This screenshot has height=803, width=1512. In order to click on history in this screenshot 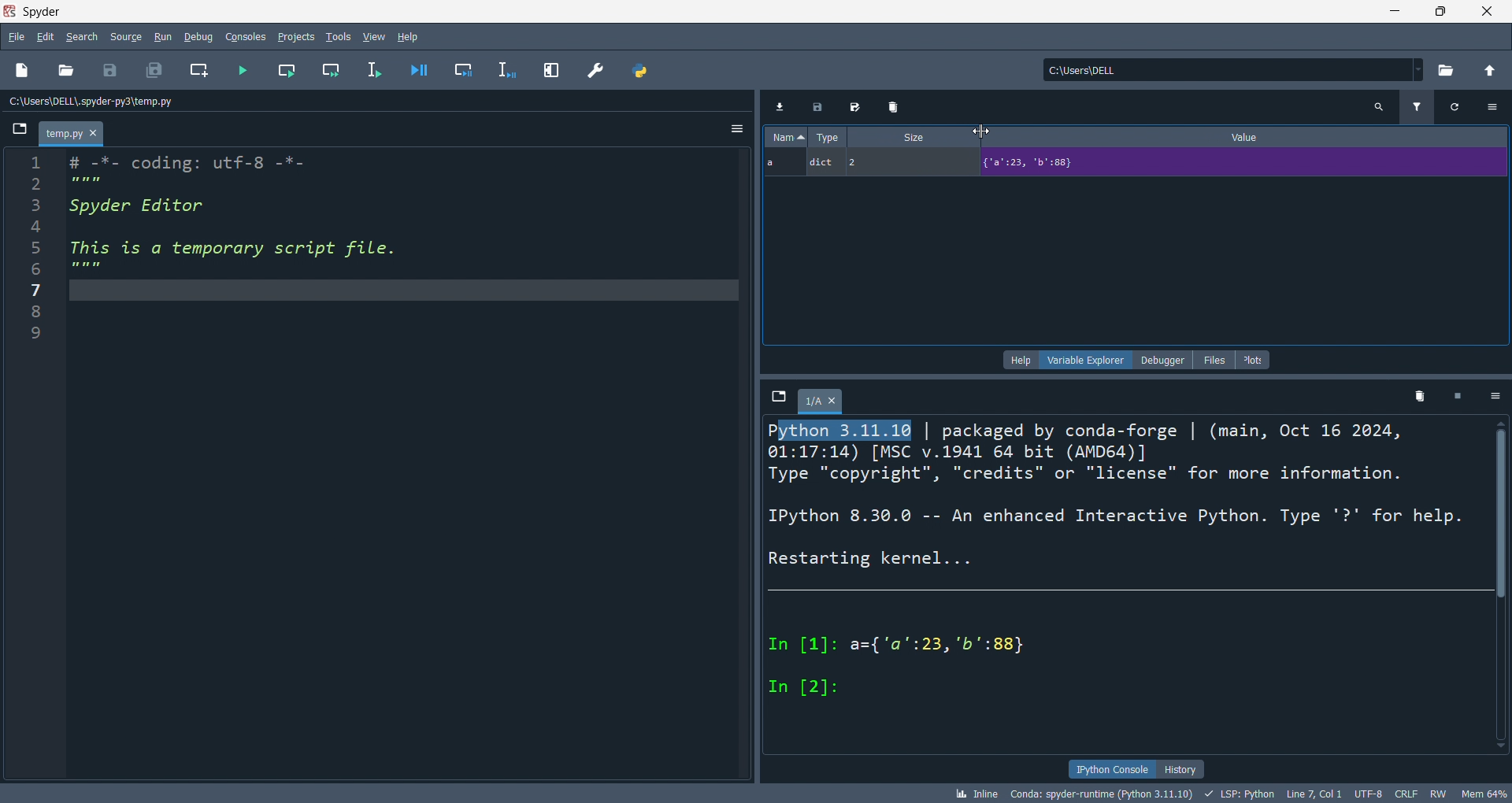, I will do `click(1180, 768)`.